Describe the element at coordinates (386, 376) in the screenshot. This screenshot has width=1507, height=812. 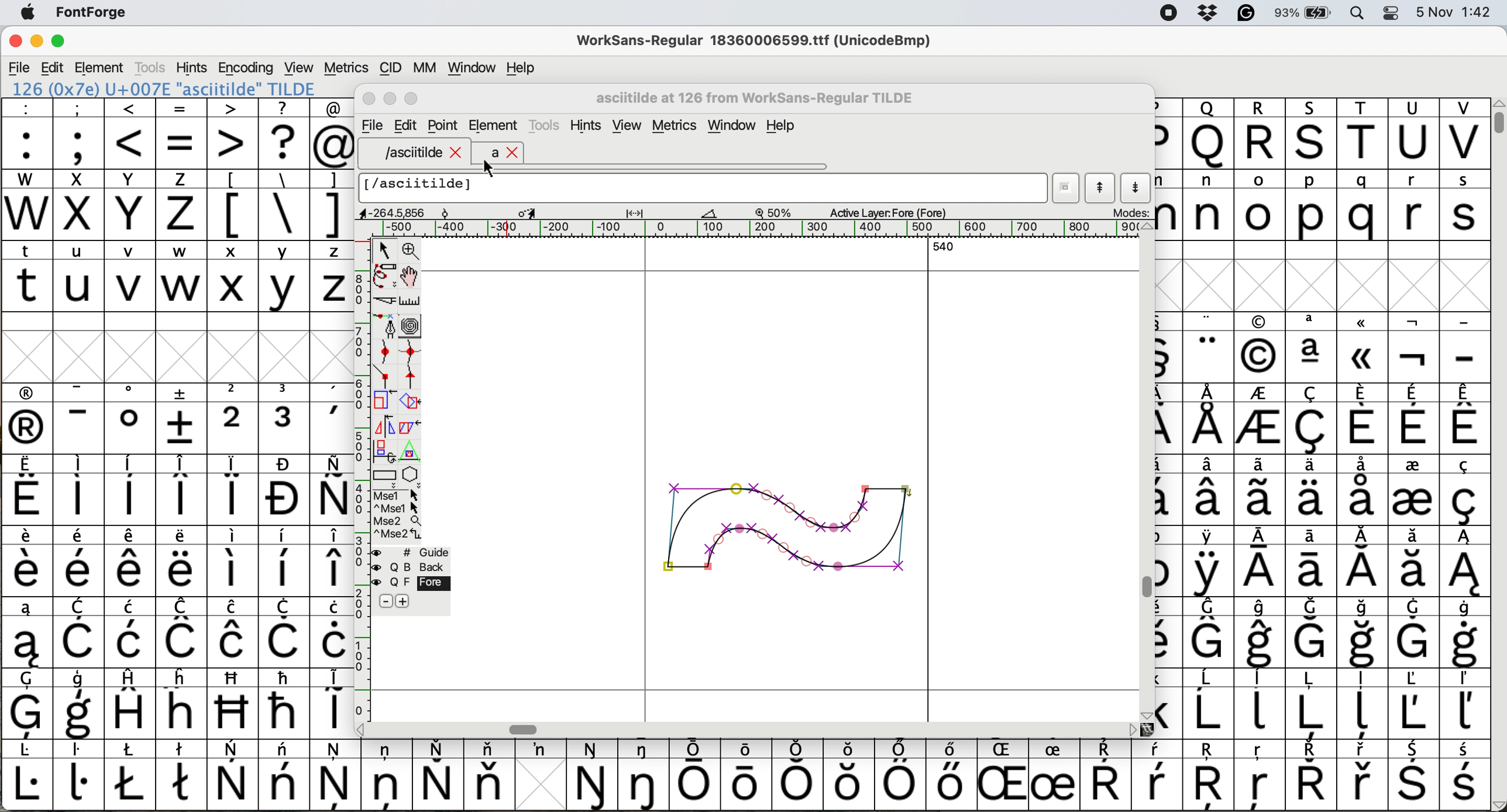
I see `add a comer point` at that location.